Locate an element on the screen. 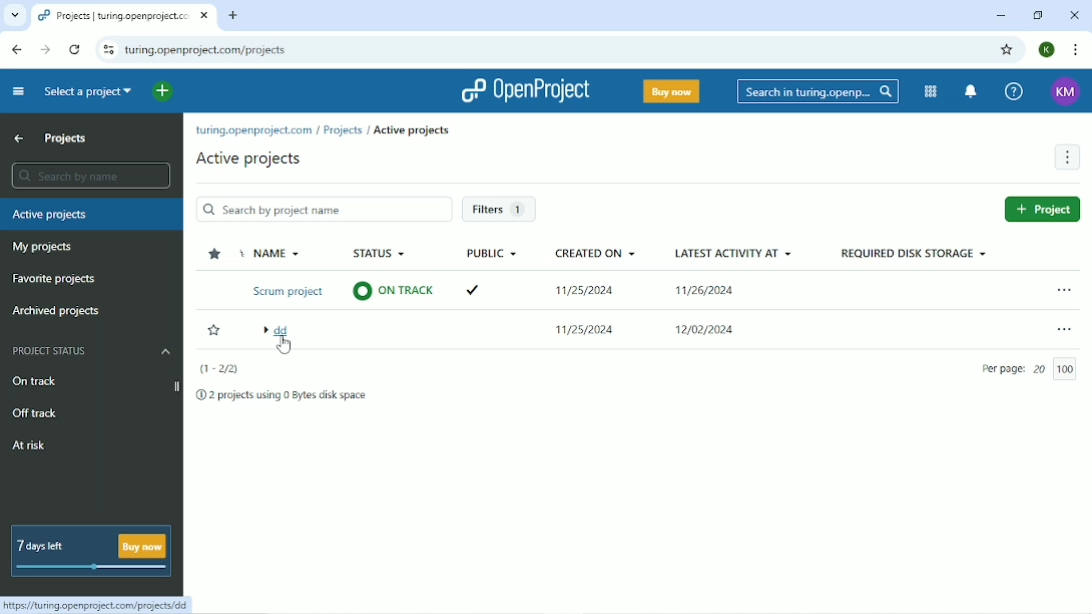  View site information is located at coordinates (107, 47).